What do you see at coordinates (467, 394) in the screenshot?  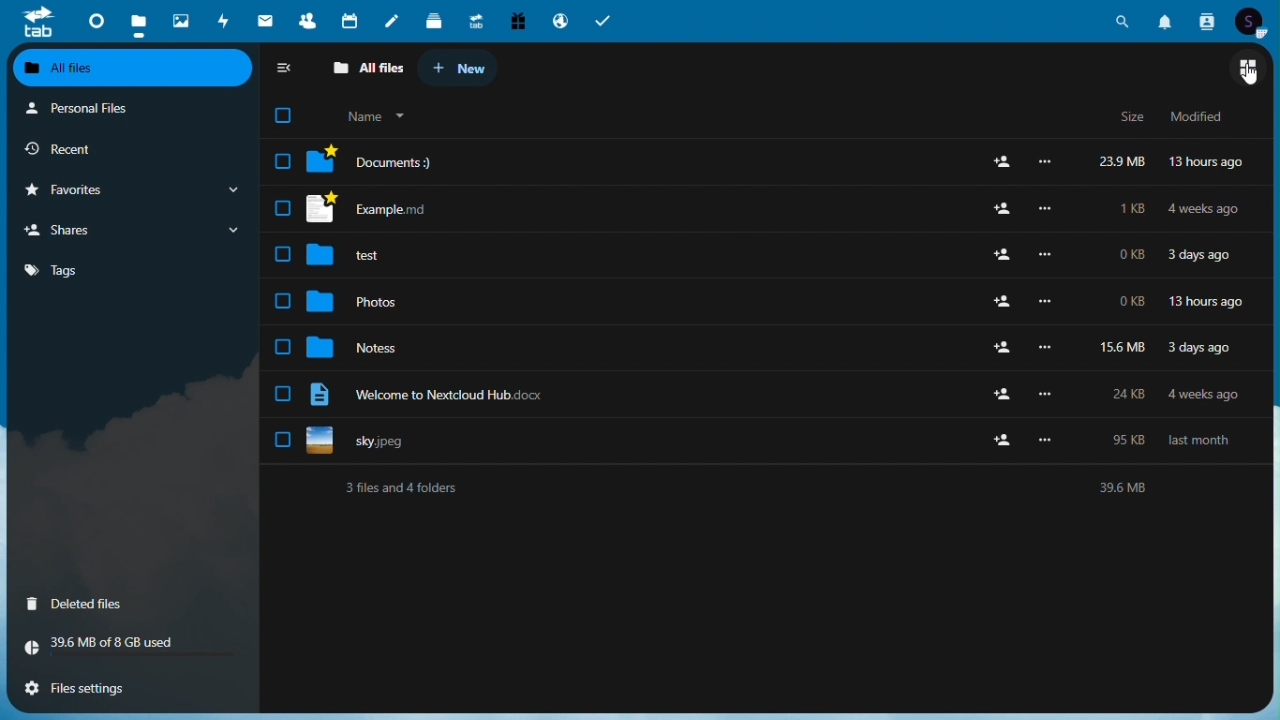 I see `welcome to nextcloud hub.docx` at bounding box center [467, 394].